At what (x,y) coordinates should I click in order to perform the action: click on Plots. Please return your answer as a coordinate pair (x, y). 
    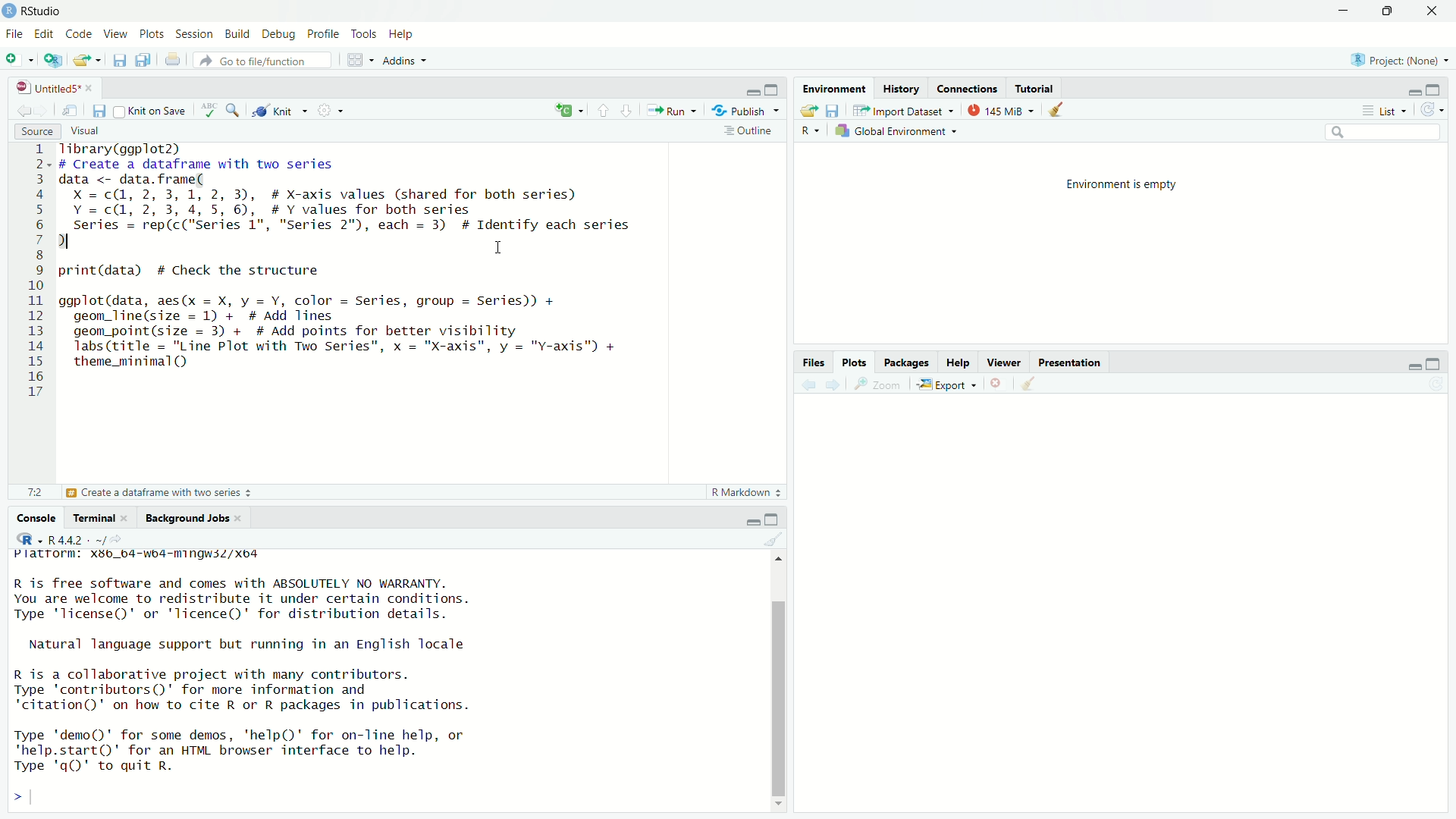
    Looking at the image, I should click on (857, 363).